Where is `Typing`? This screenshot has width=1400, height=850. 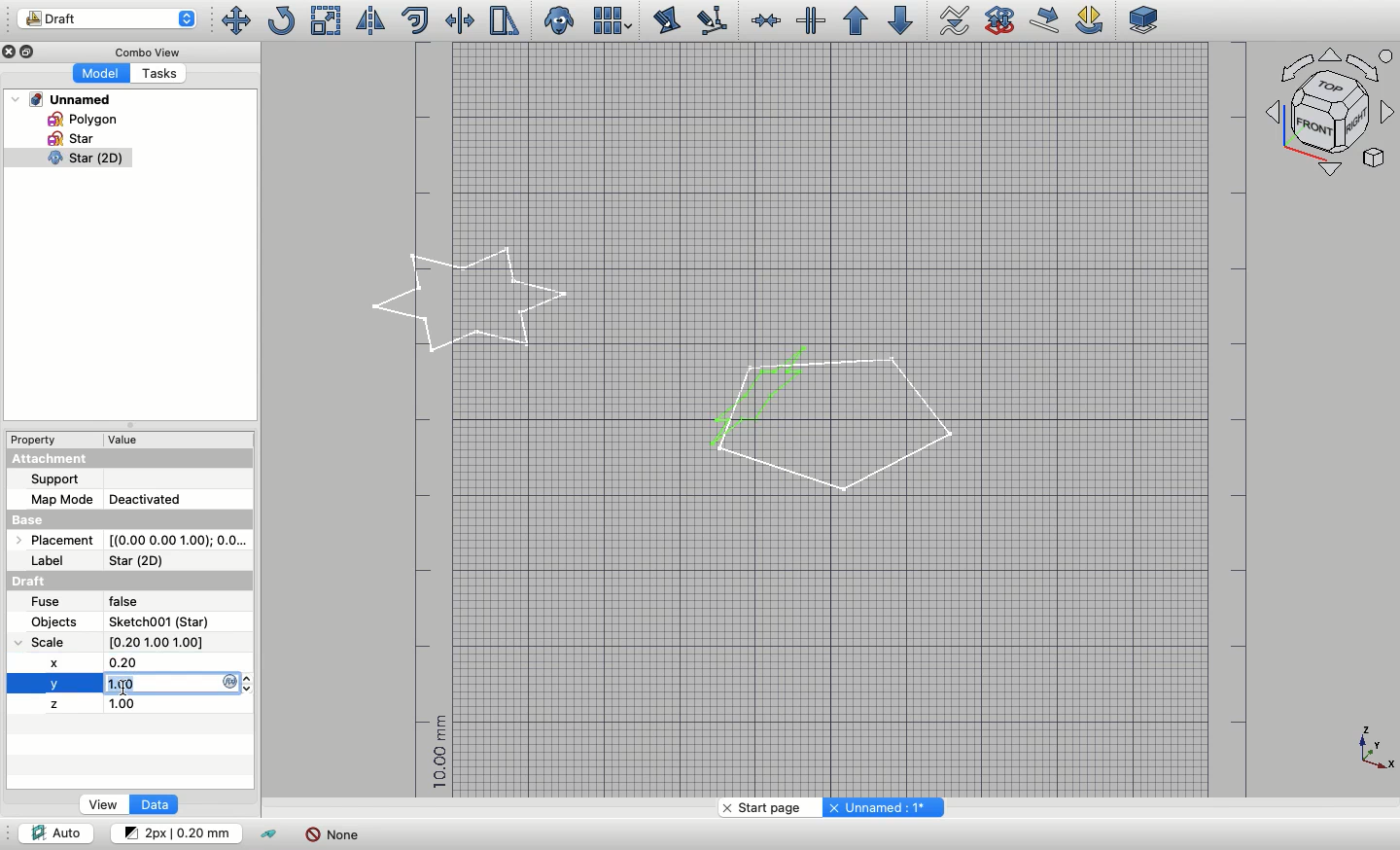 Typing is located at coordinates (170, 684).